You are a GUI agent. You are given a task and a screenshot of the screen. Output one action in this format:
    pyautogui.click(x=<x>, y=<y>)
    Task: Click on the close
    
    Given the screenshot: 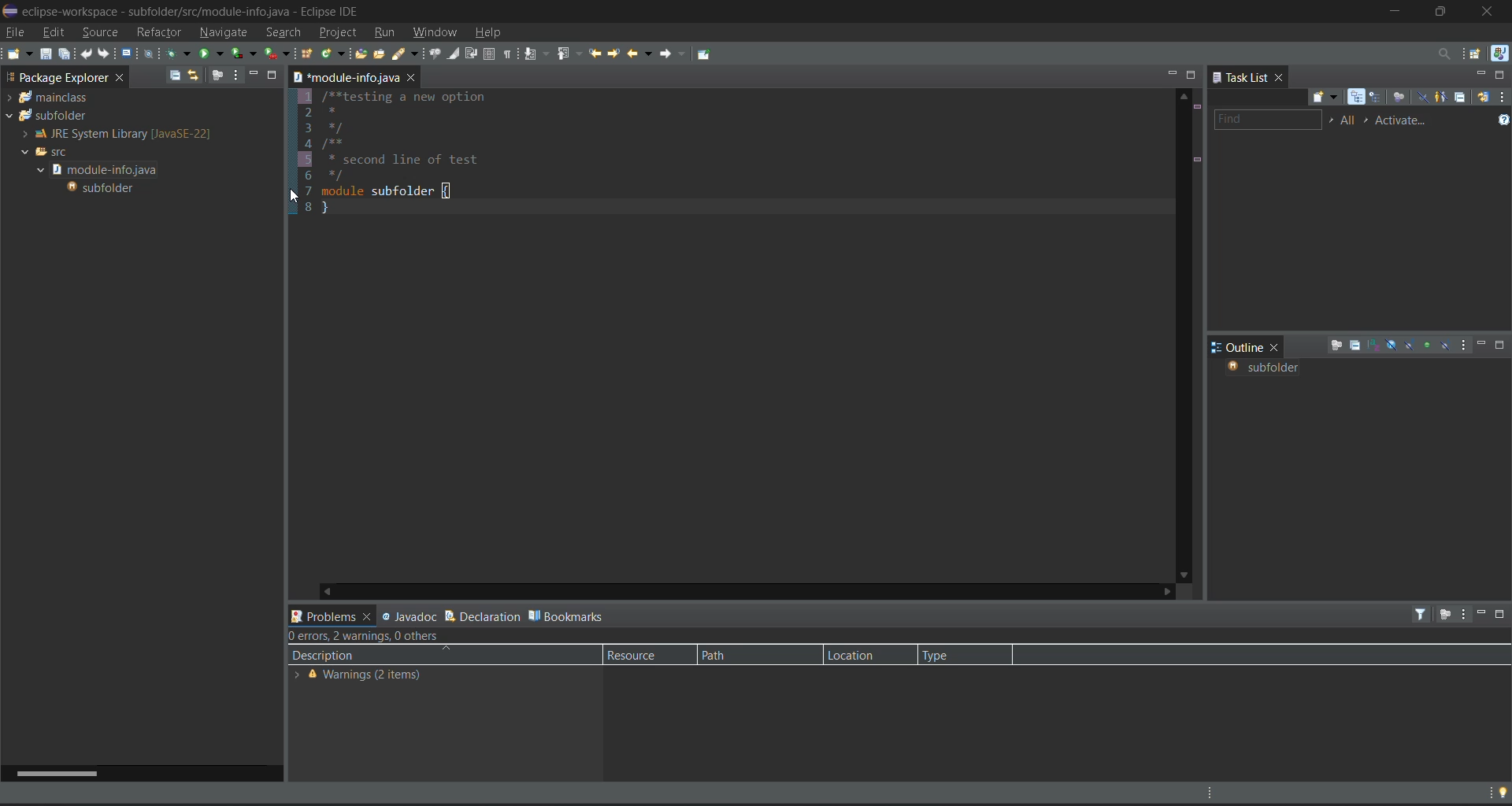 What is the action you would take?
    pyautogui.click(x=1493, y=12)
    